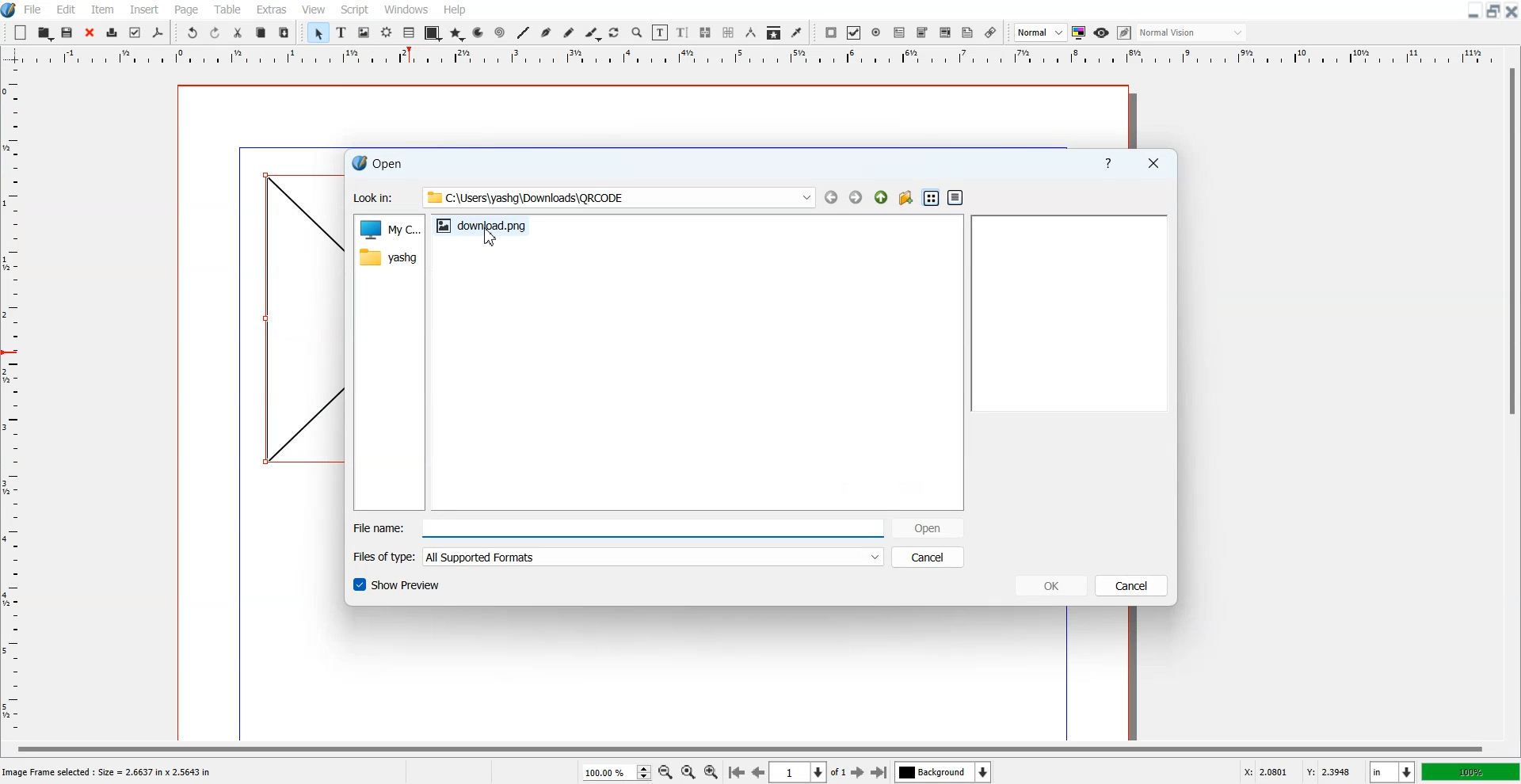 This screenshot has width=1521, height=784. What do you see at coordinates (1101, 32) in the screenshot?
I see `Preview` at bounding box center [1101, 32].